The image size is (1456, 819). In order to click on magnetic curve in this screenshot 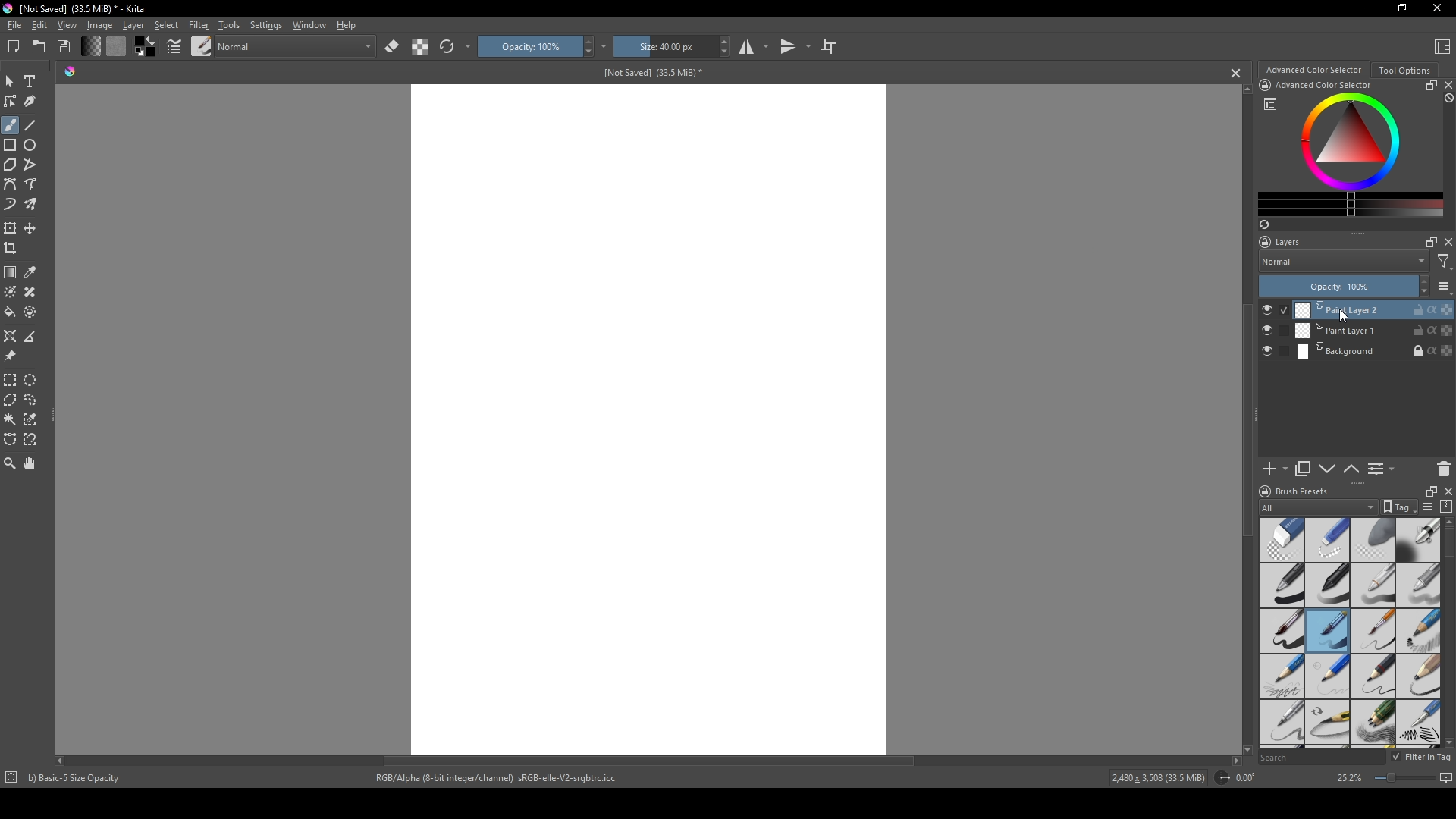, I will do `click(32, 441)`.